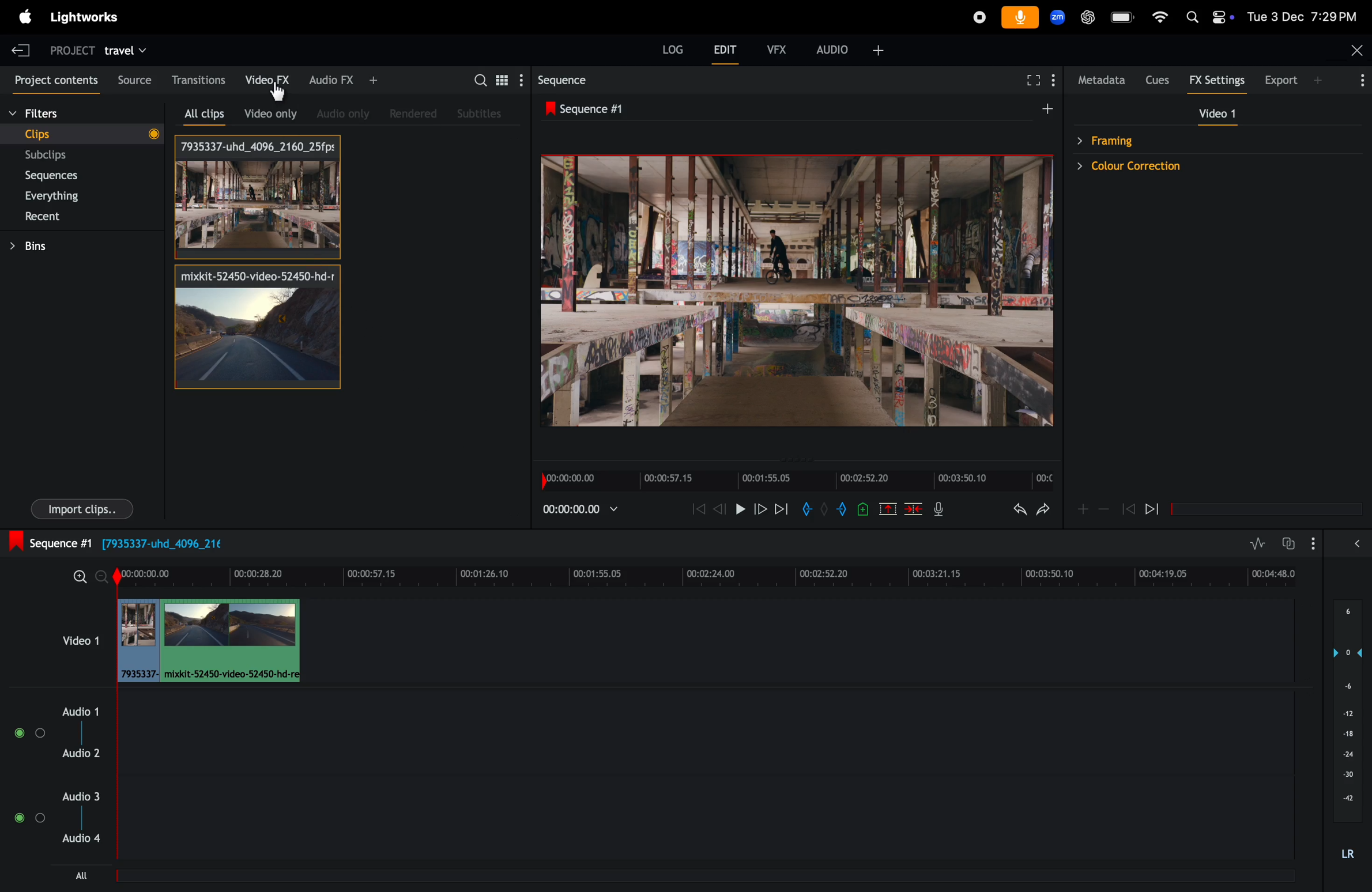  What do you see at coordinates (200, 109) in the screenshot?
I see `all clips` at bounding box center [200, 109].